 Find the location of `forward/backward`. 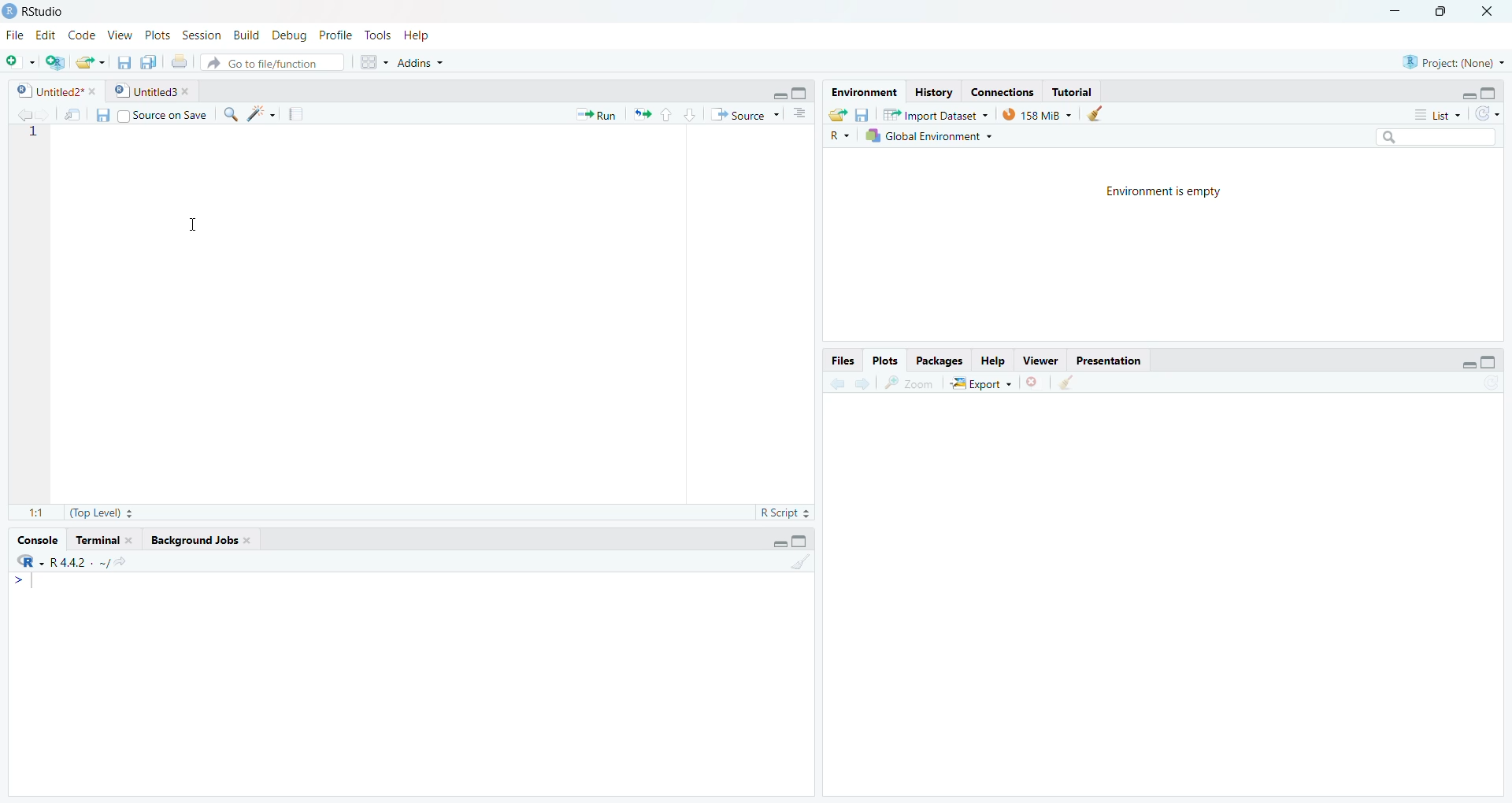

forward/backward is located at coordinates (854, 380).